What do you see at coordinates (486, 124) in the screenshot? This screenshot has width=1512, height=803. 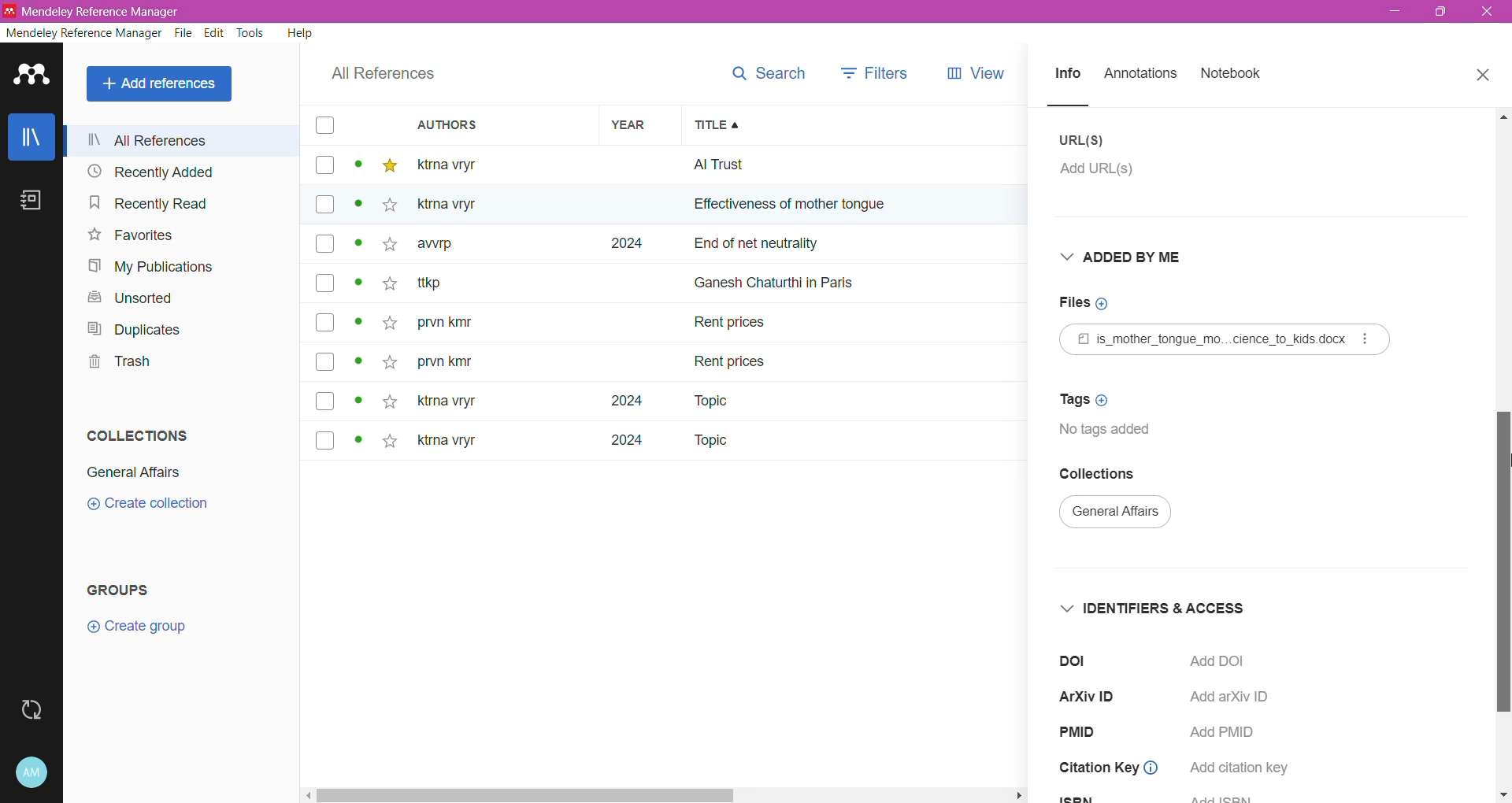 I see `Authors` at bounding box center [486, 124].